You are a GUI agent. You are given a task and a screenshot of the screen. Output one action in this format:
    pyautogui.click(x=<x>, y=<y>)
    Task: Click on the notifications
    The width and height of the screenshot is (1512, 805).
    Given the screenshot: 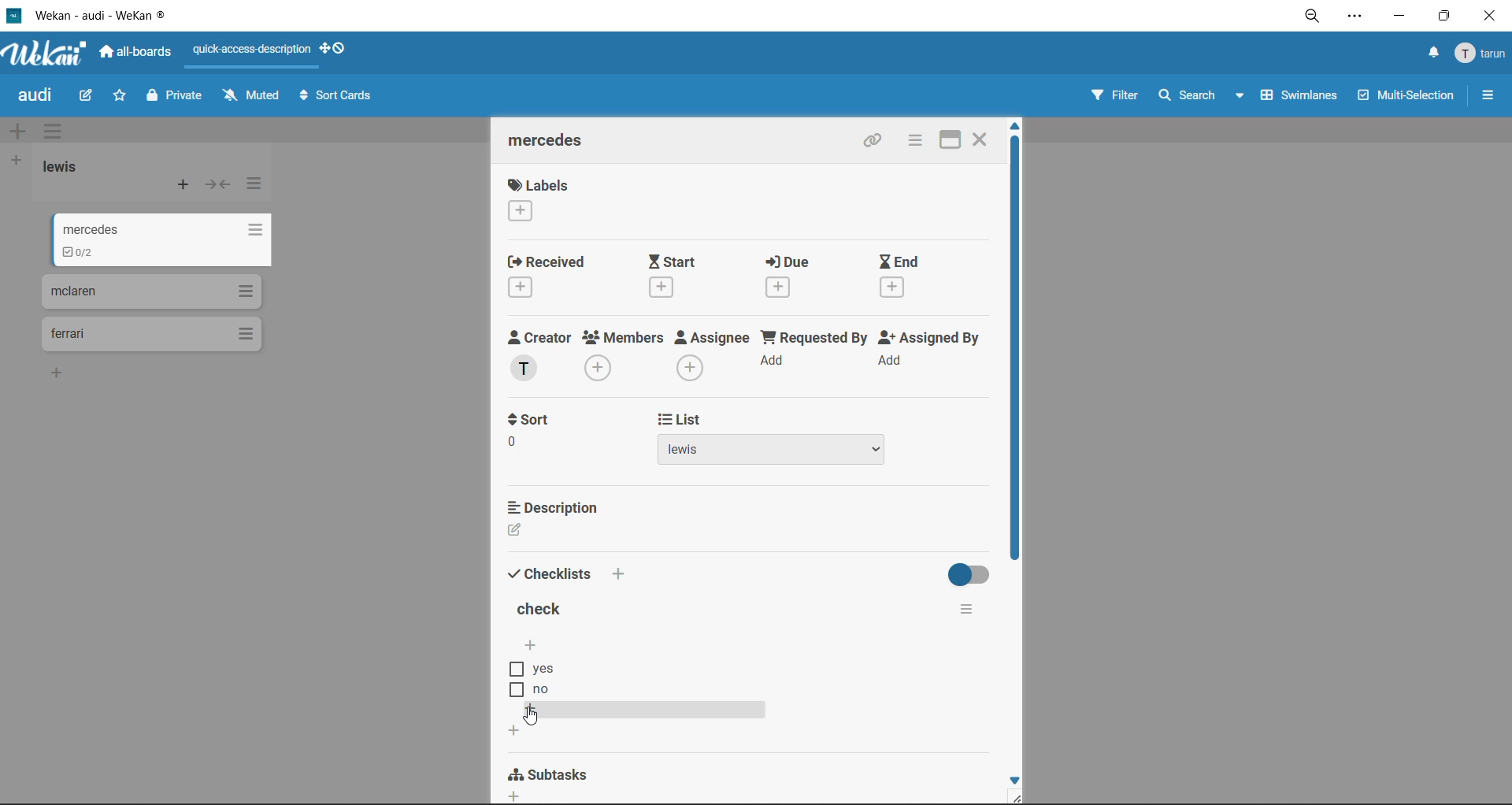 What is the action you would take?
    pyautogui.click(x=1431, y=54)
    